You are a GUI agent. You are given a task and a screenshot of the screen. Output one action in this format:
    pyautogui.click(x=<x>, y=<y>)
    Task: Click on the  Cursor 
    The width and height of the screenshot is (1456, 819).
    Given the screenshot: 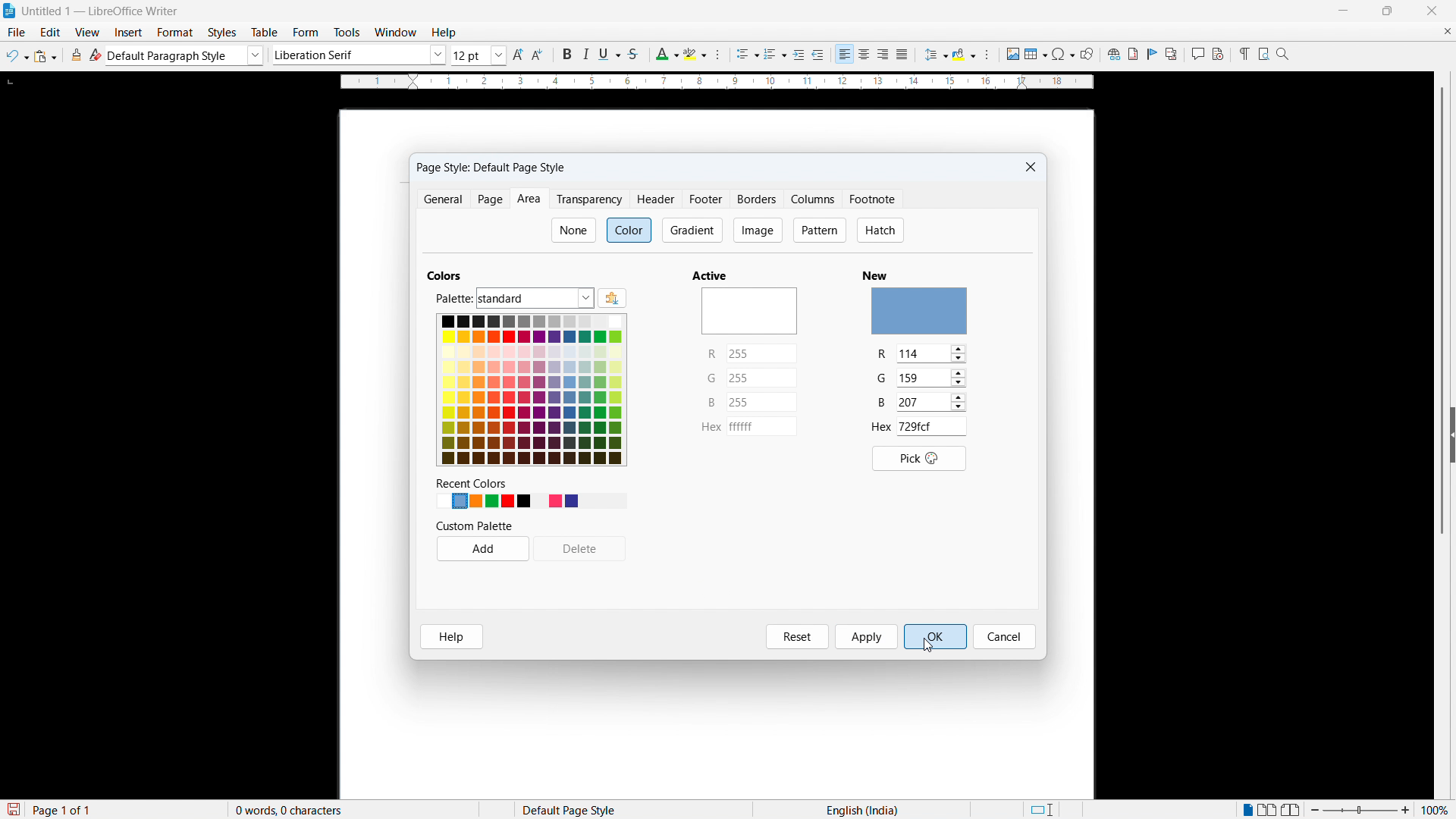 What is the action you would take?
    pyautogui.click(x=927, y=645)
    